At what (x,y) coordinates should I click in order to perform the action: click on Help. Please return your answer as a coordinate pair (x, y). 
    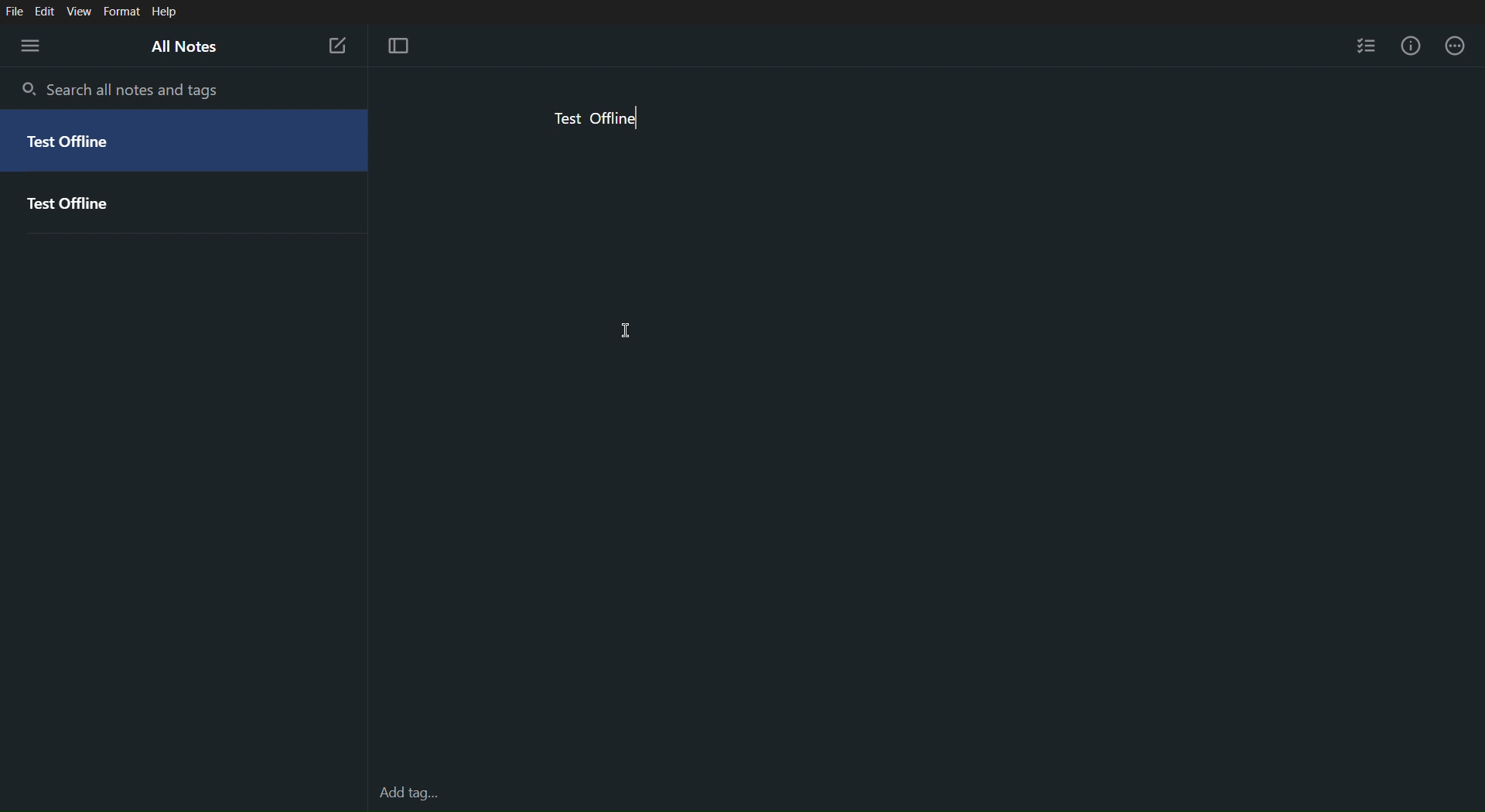
    Looking at the image, I should click on (165, 12).